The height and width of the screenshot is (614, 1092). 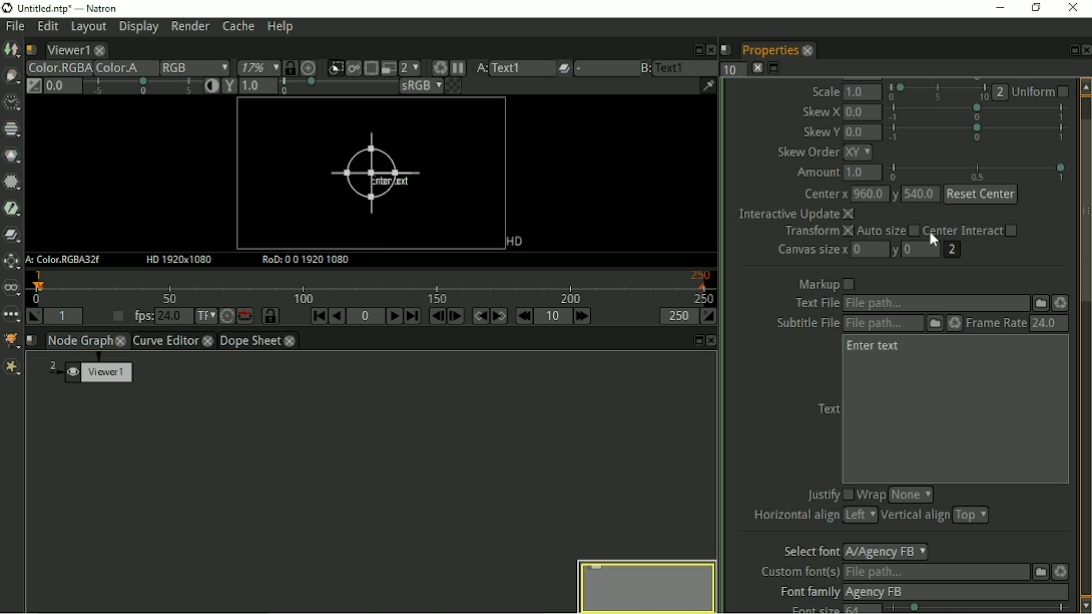 I want to click on Keyboard shortcut, so click(x=437, y=67).